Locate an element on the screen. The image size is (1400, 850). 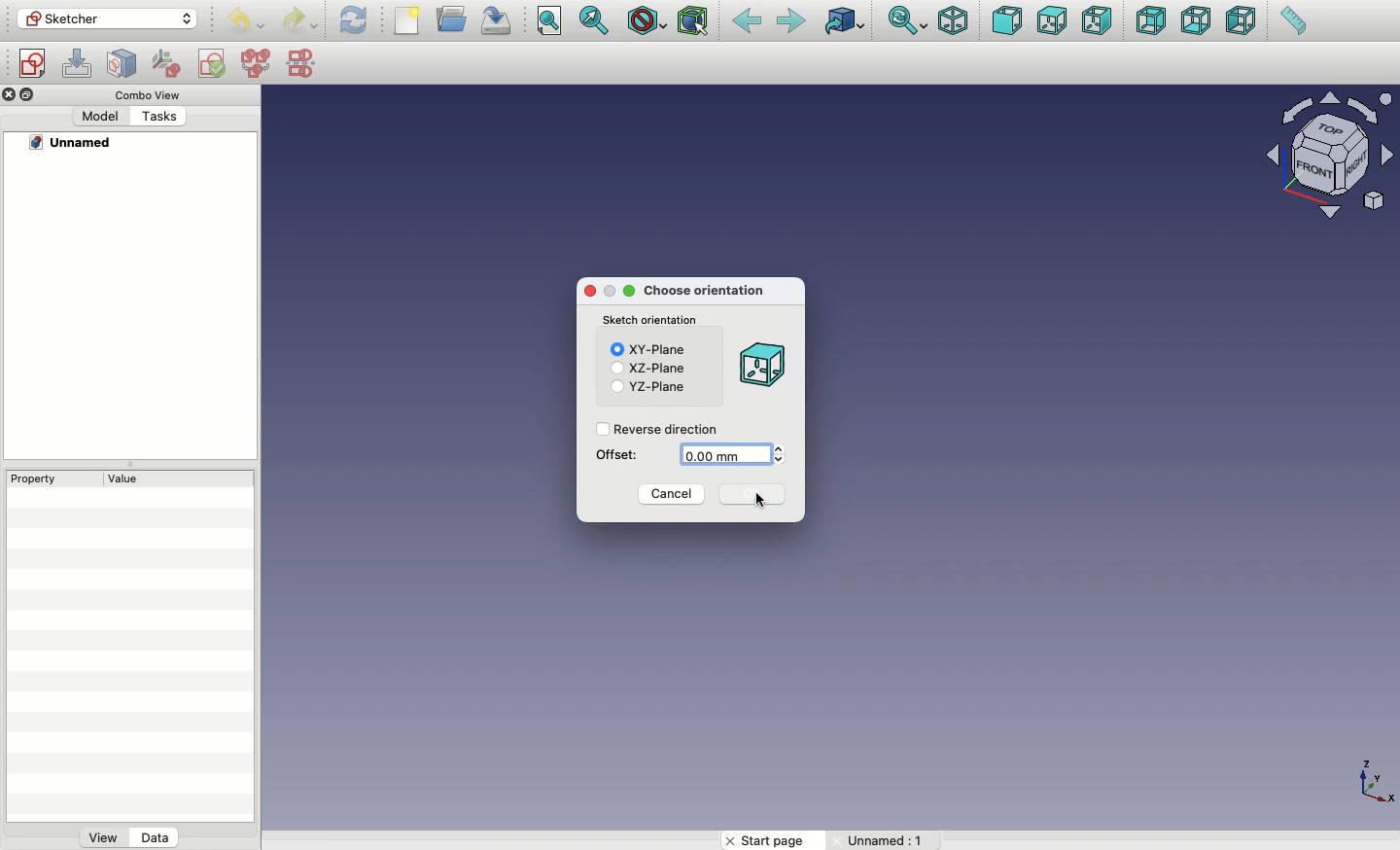
Draw style is located at coordinates (647, 20).